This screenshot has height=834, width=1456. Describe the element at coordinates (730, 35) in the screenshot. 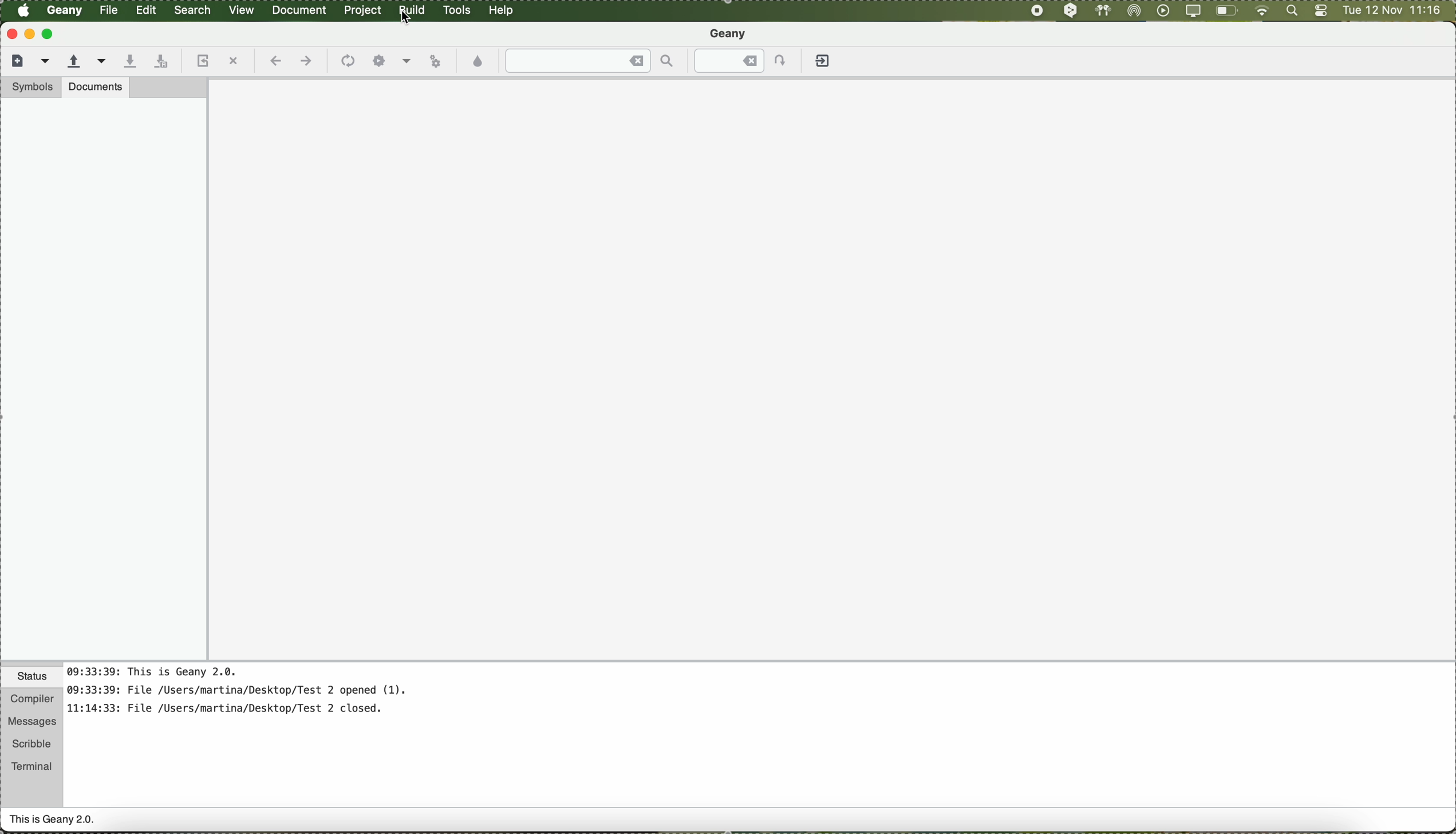

I see `Geany` at that location.